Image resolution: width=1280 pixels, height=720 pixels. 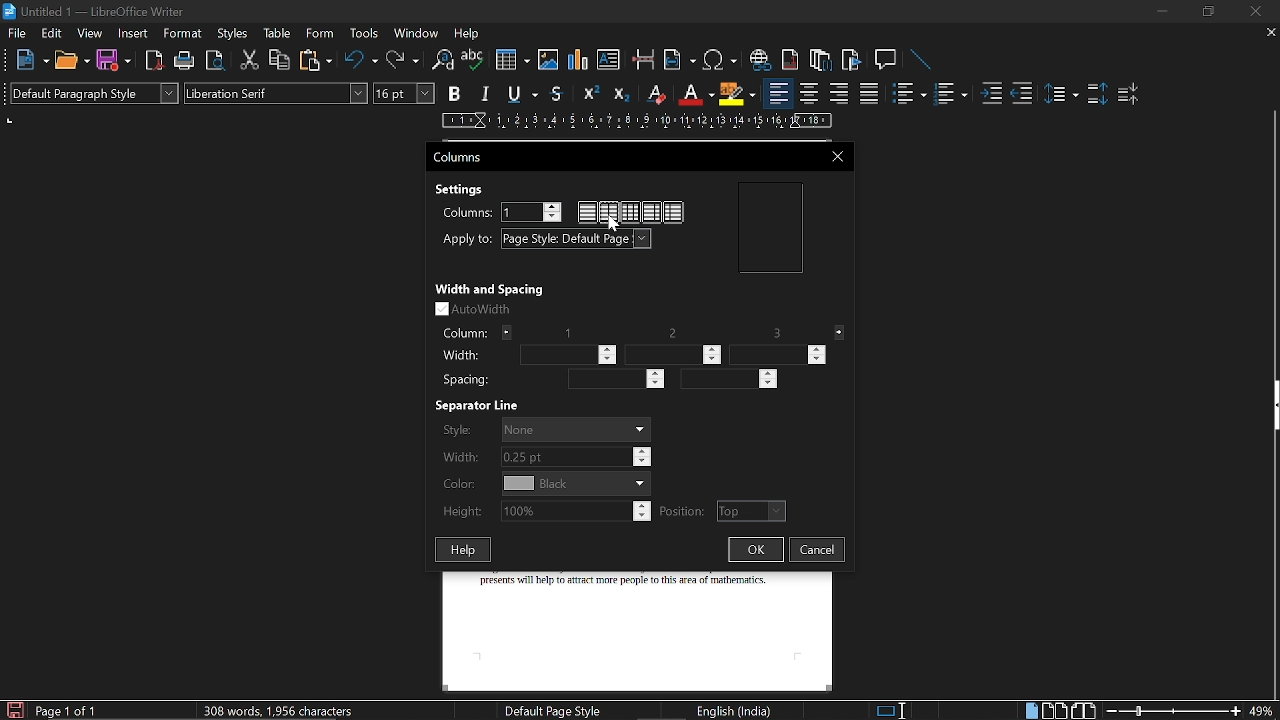 I want to click on View, so click(x=88, y=34).